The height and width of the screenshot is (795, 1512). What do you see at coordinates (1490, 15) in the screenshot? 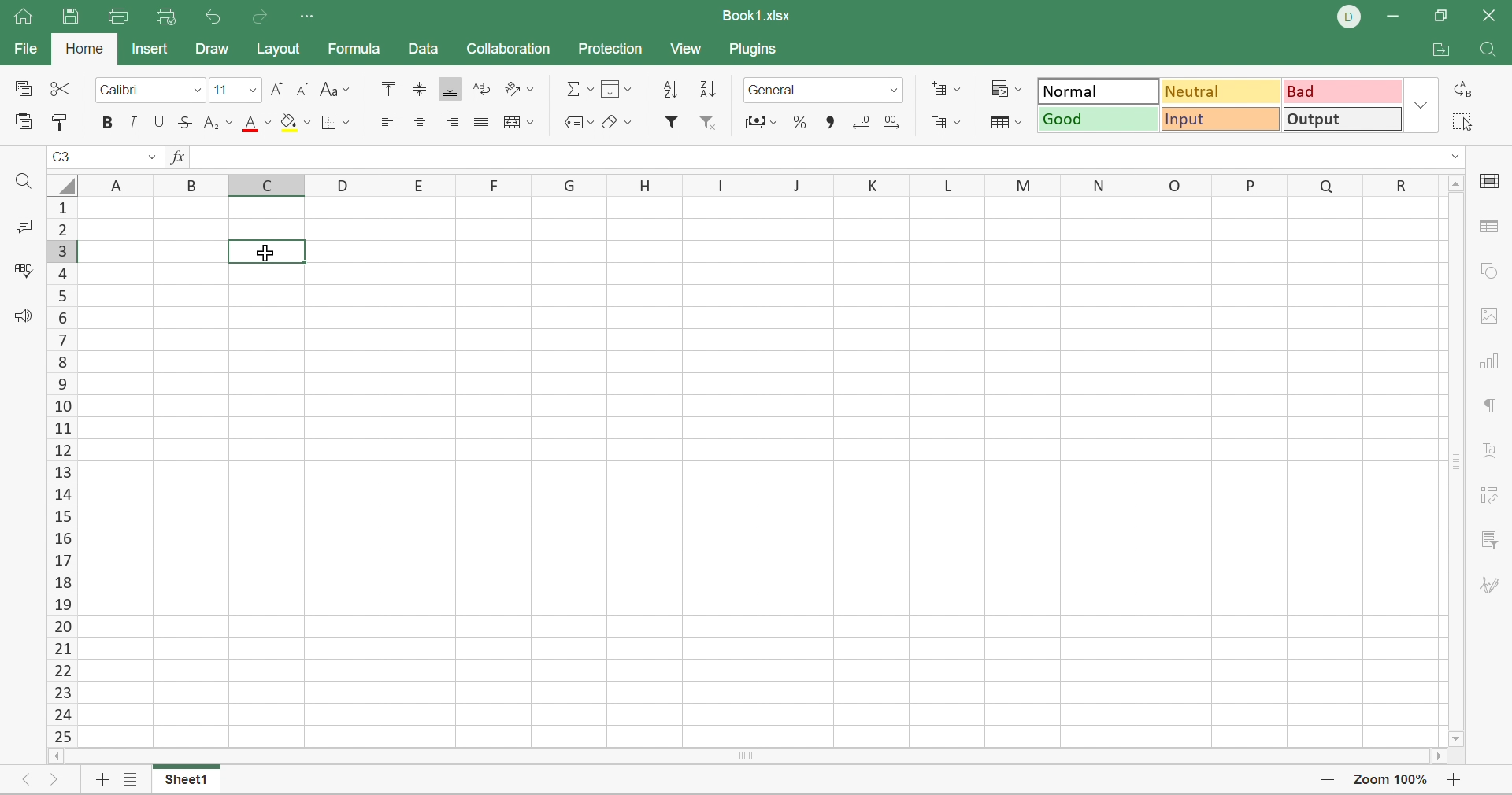
I see `Close` at bounding box center [1490, 15].